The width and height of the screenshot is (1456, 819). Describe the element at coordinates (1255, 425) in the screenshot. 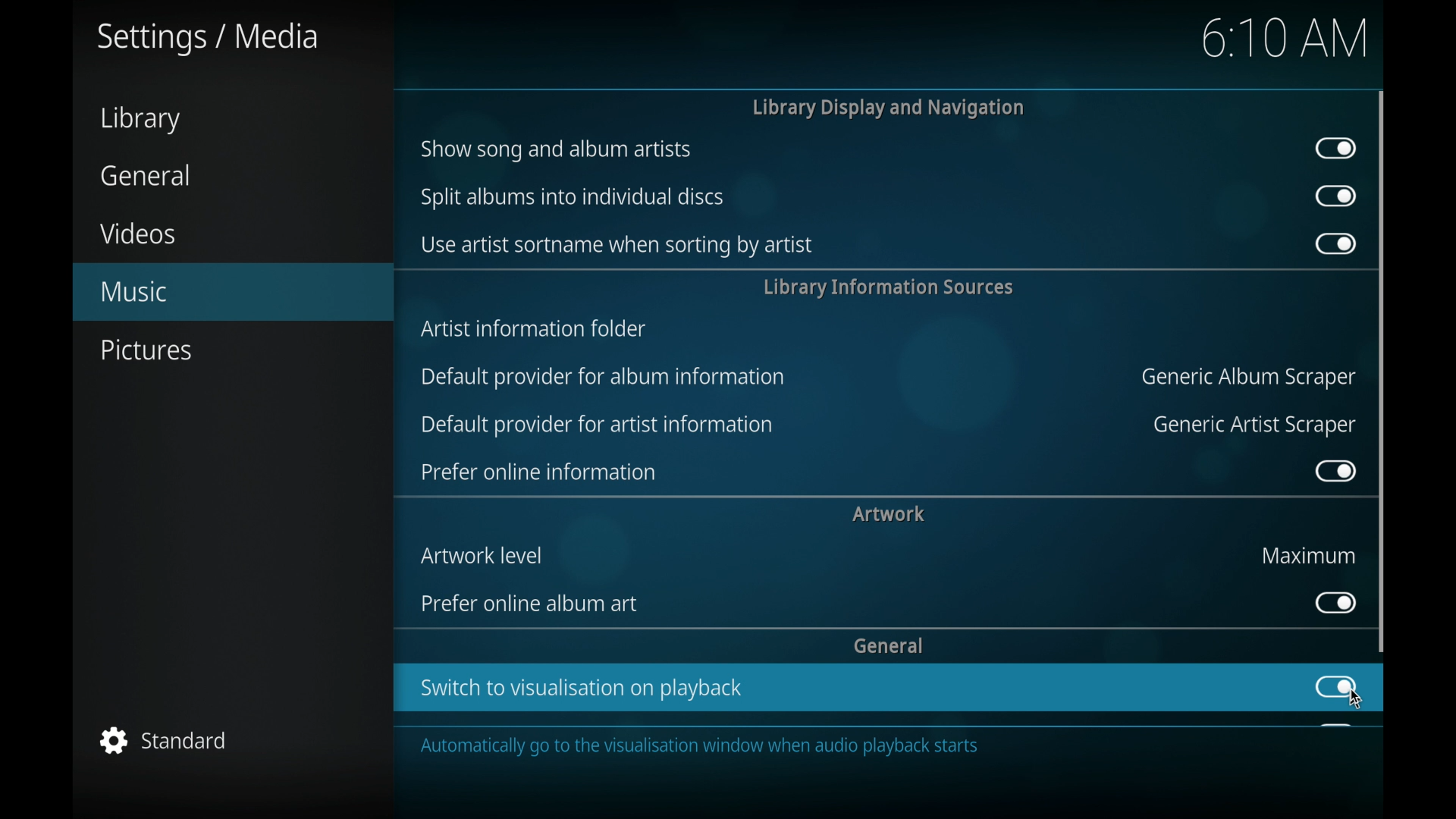

I see `generic artist scraper` at that location.